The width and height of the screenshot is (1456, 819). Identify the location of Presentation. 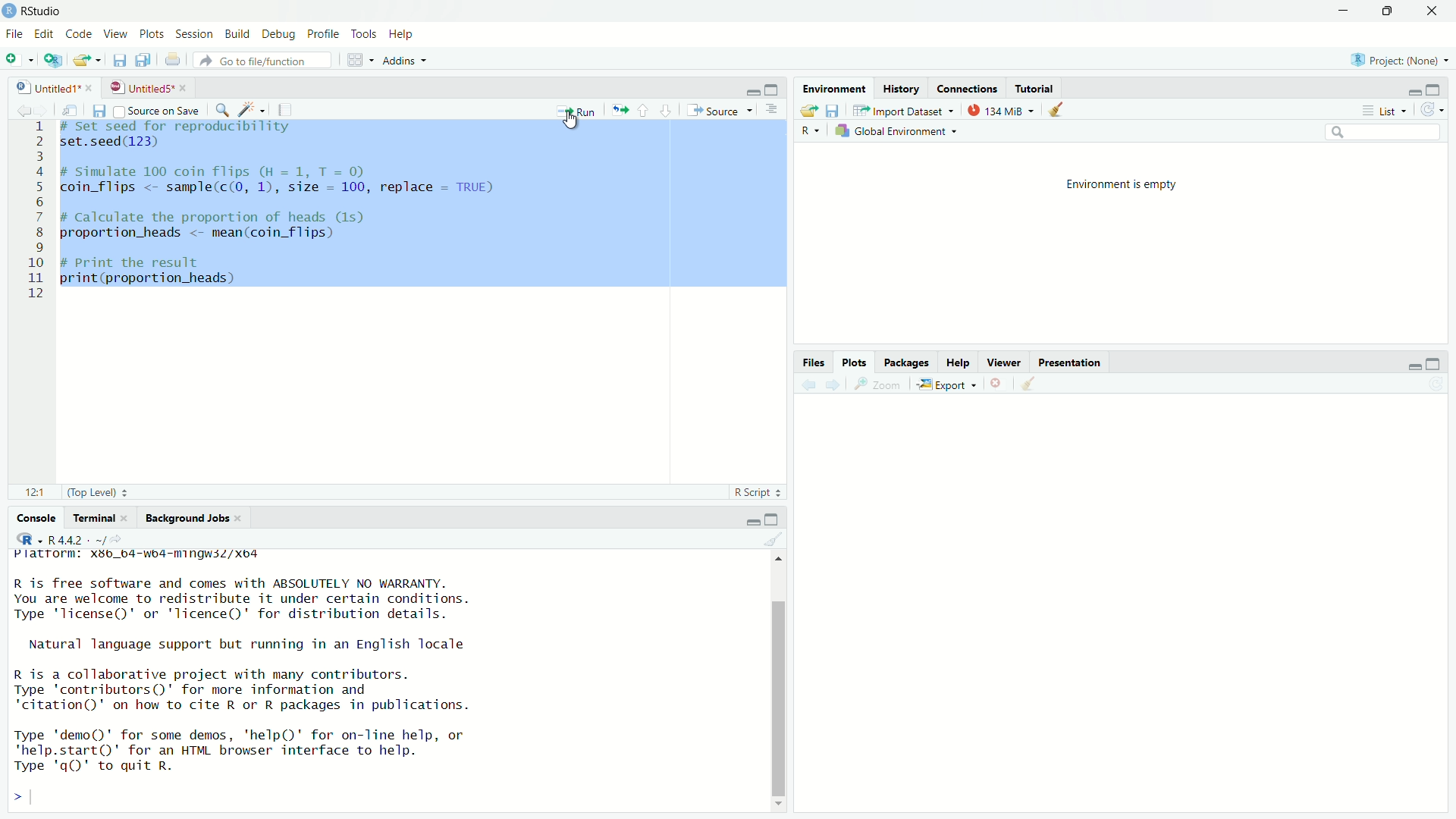
(1072, 362).